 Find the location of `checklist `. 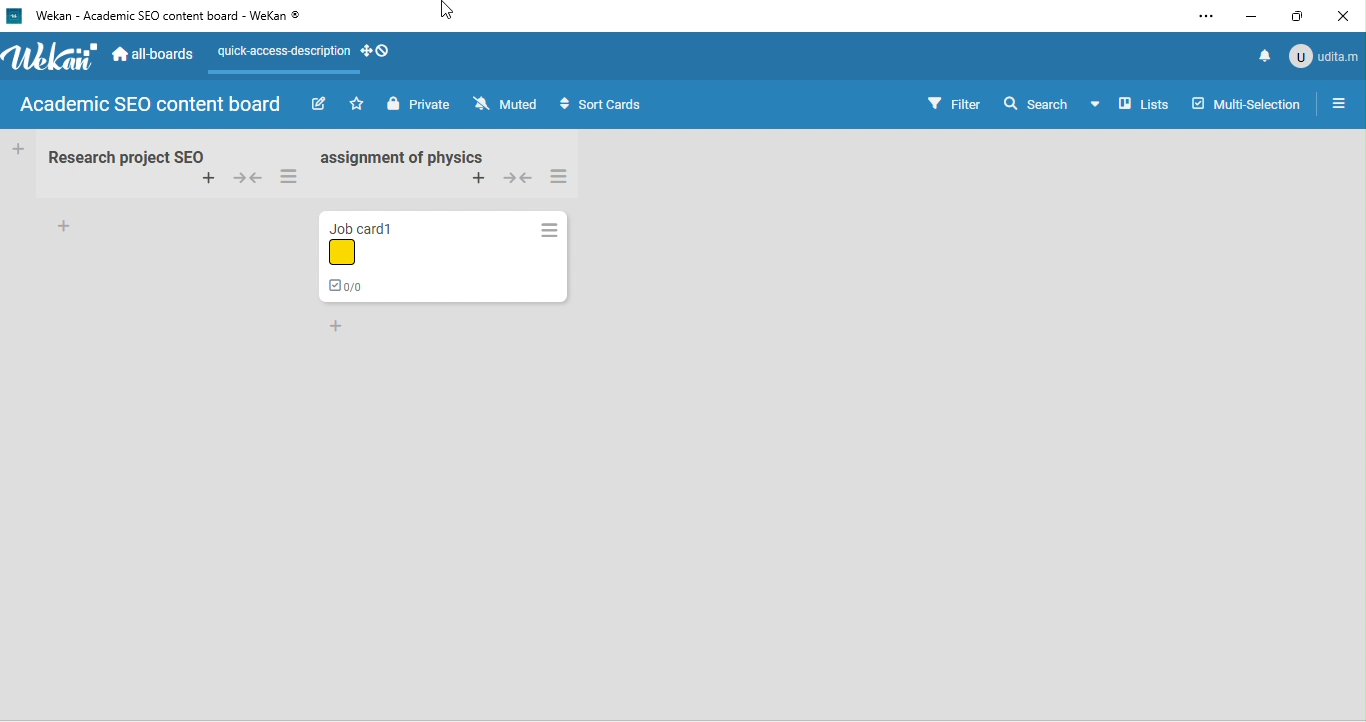

checklist  is located at coordinates (343, 288).